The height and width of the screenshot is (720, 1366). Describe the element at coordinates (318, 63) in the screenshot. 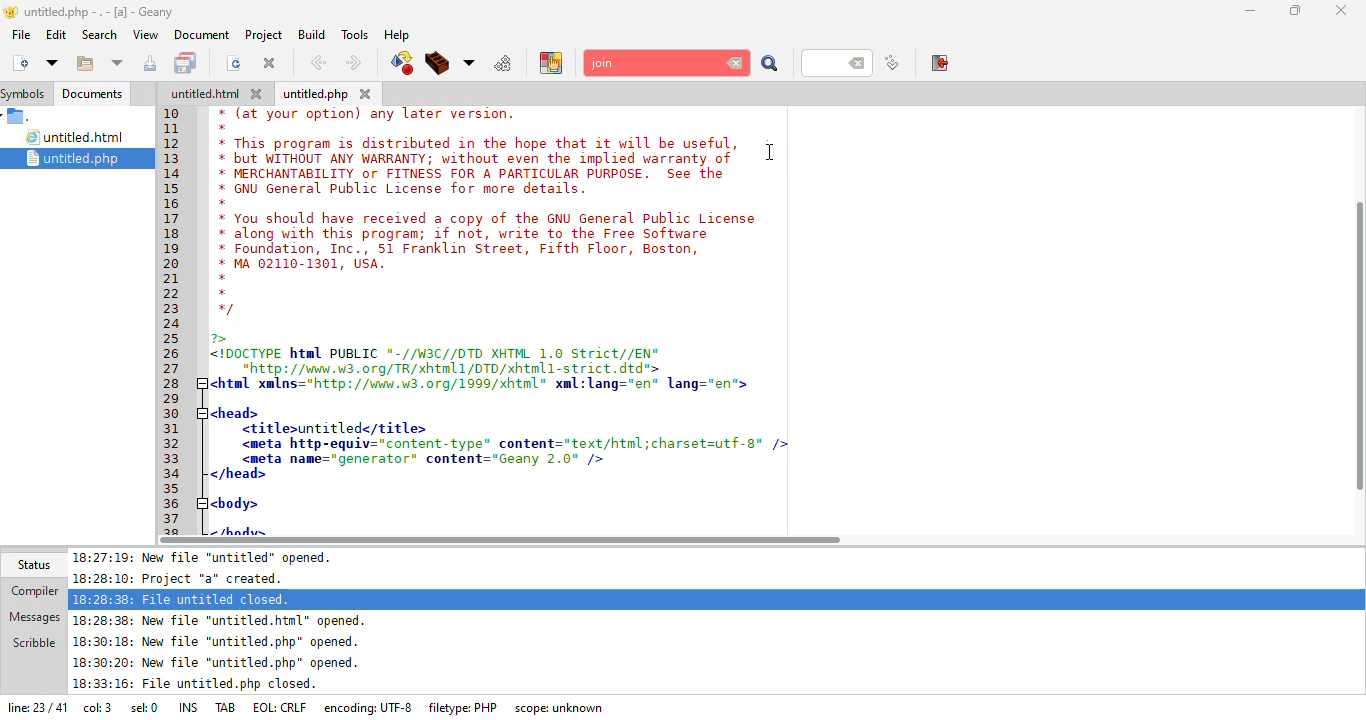

I see `back` at that location.